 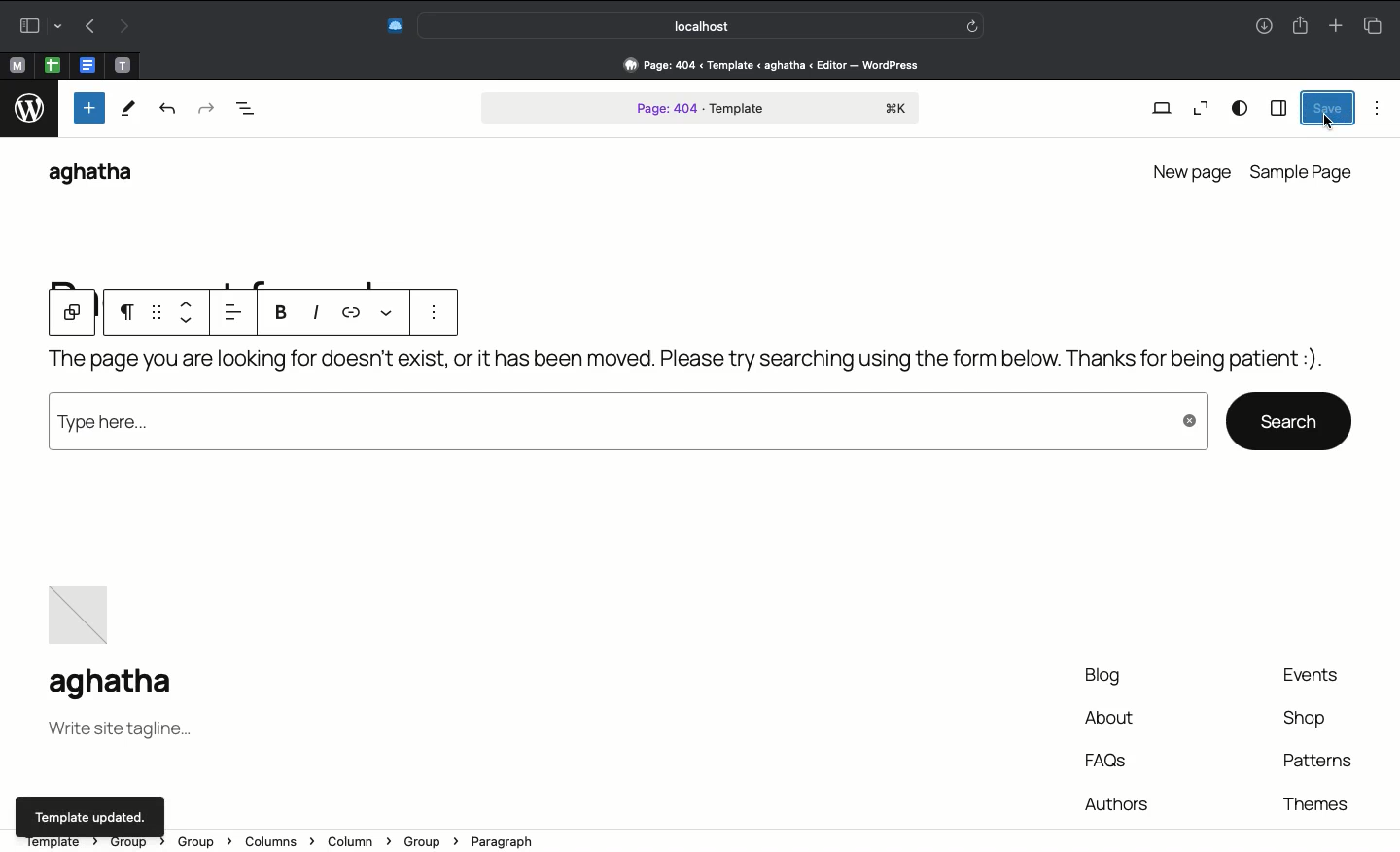 What do you see at coordinates (393, 27) in the screenshot?
I see `Extensions` at bounding box center [393, 27].